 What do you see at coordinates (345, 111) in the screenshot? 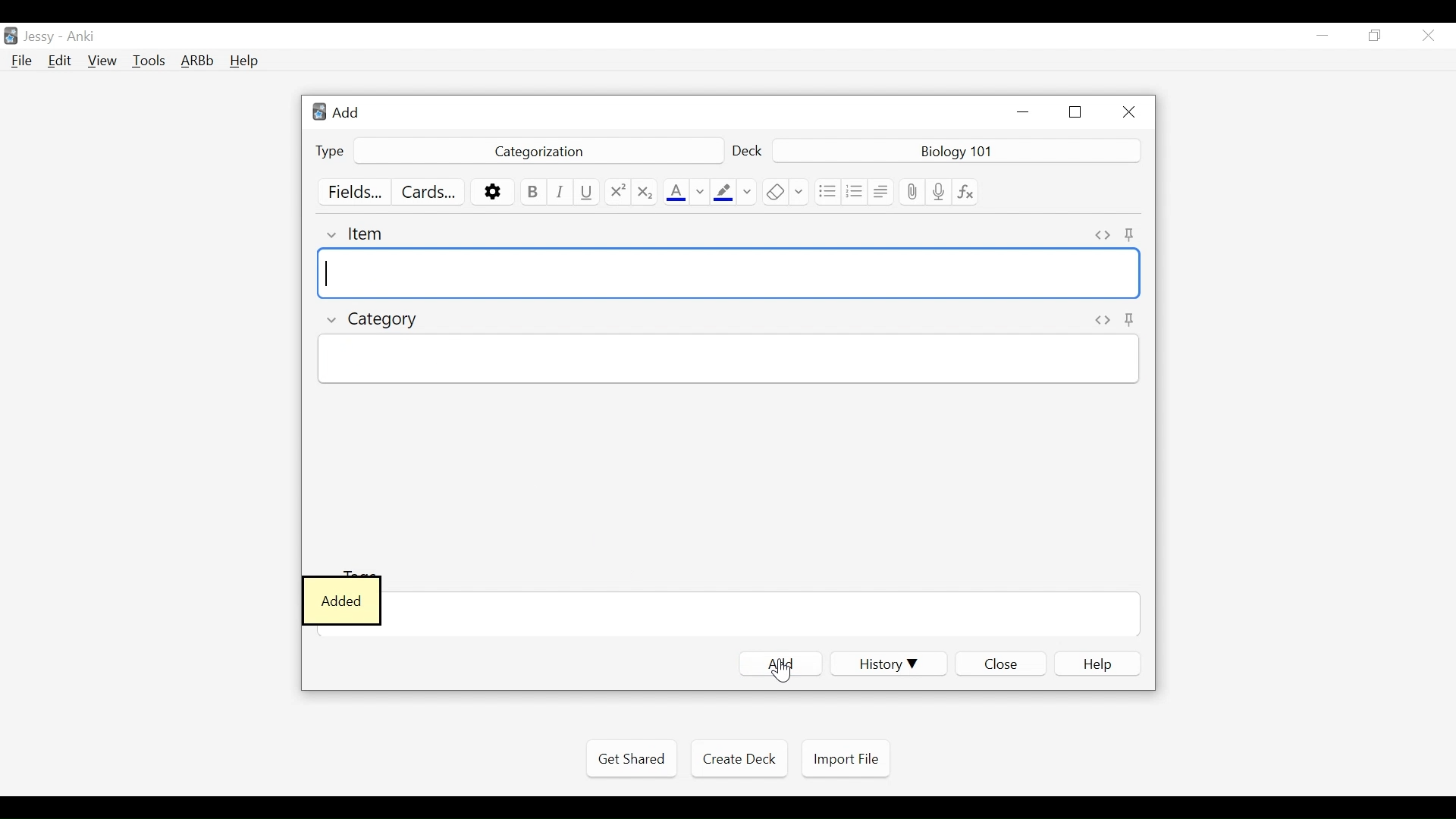
I see `Add` at bounding box center [345, 111].